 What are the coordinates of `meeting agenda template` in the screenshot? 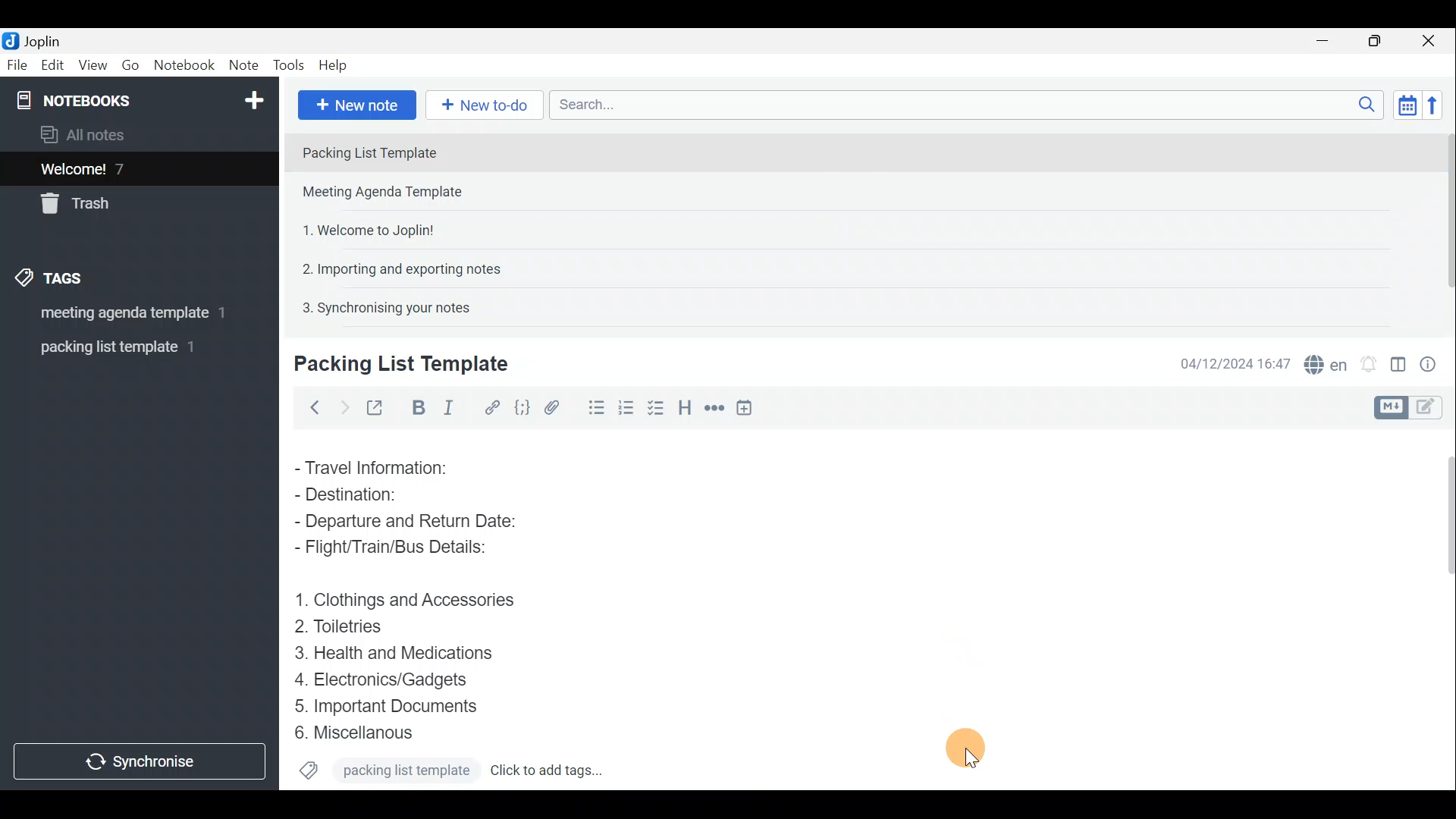 It's located at (130, 318).